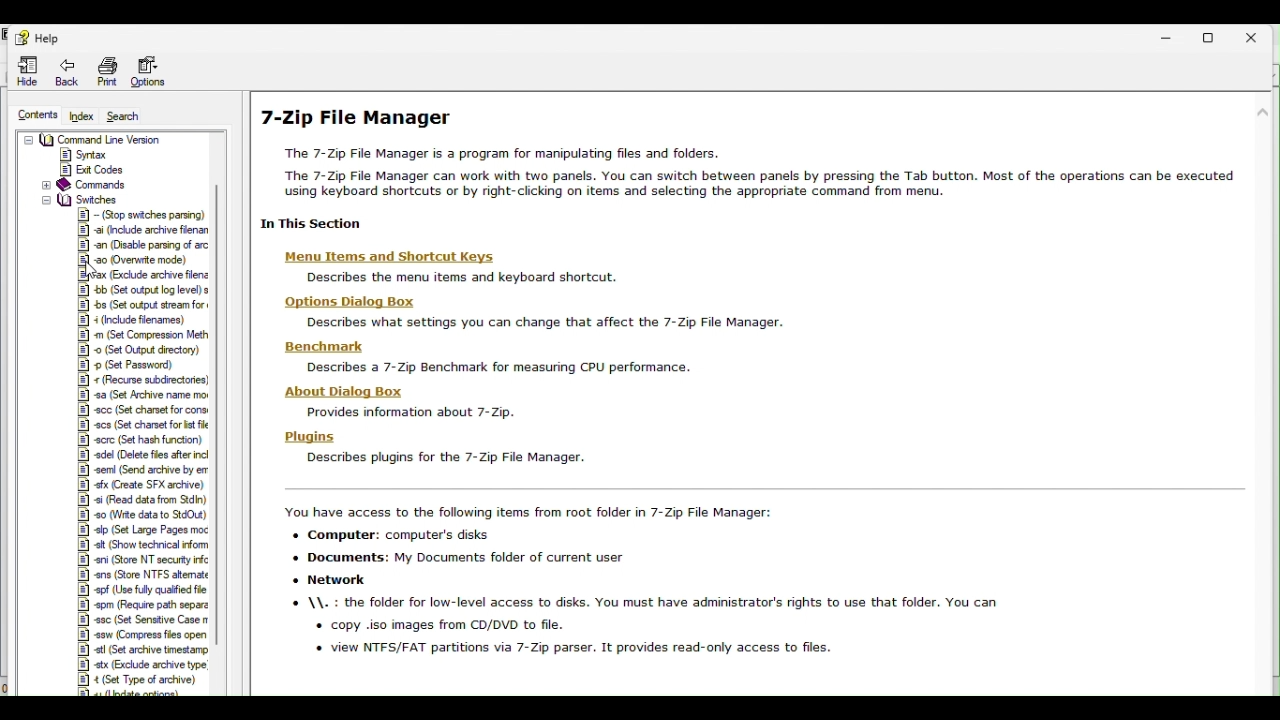  I want to click on 7 zip file manager help page, so click(747, 147).